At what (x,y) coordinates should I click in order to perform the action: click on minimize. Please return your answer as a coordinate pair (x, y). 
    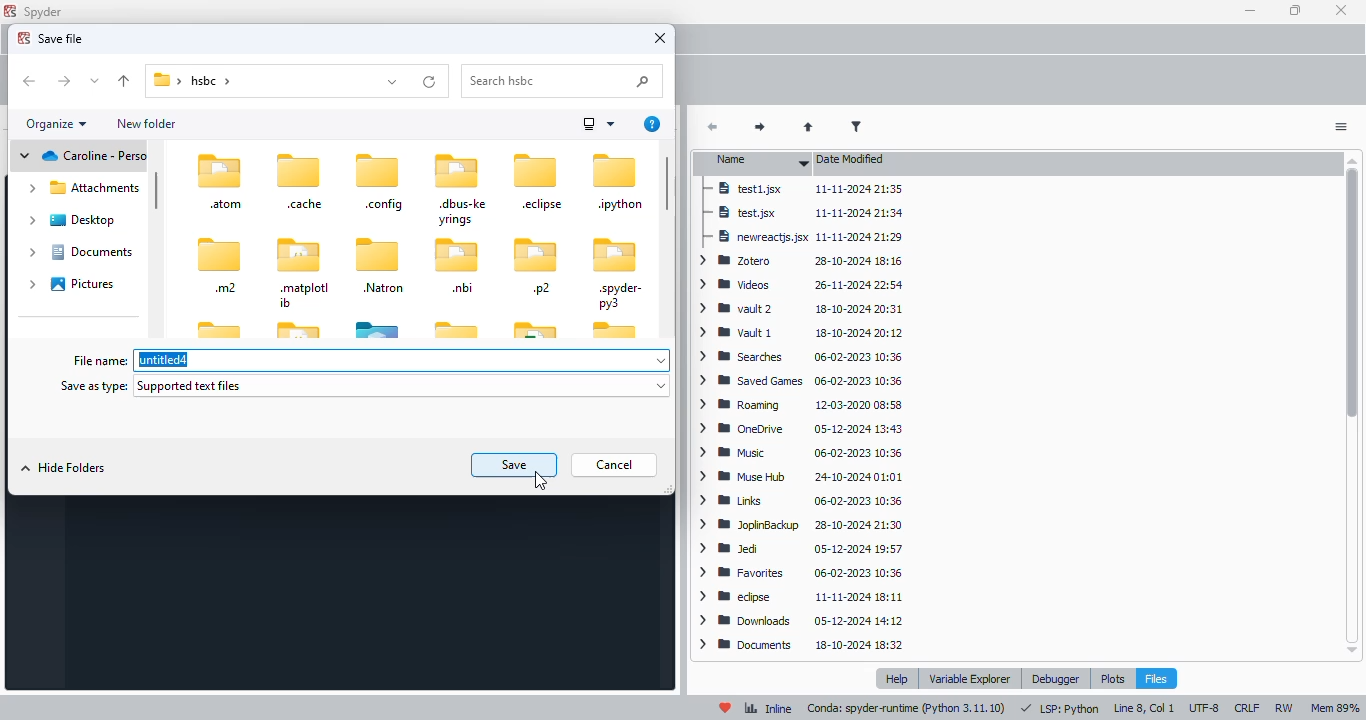
    Looking at the image, I should click on (1251, 11).